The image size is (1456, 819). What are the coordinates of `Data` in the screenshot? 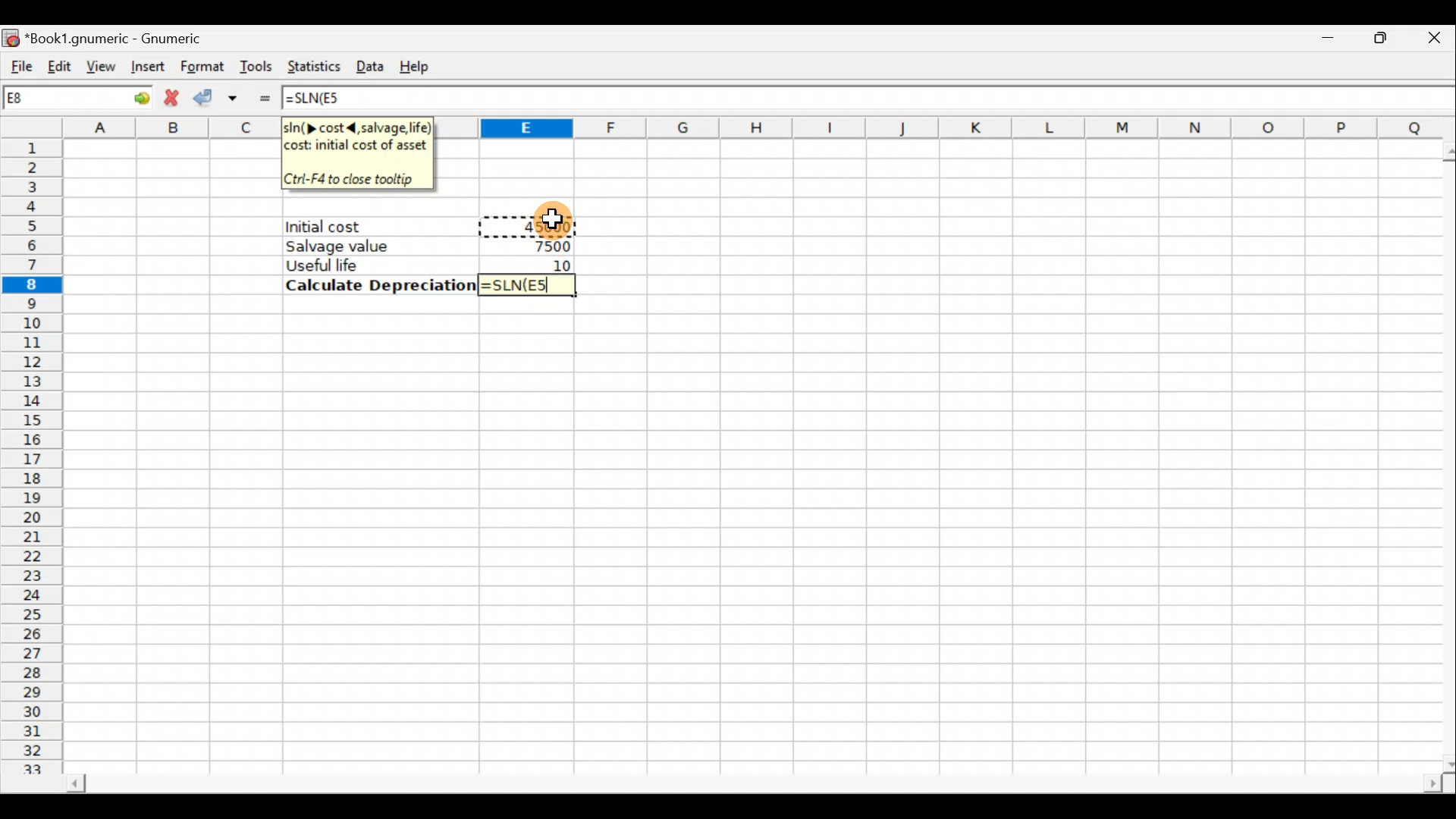 It's located at (372, 64).